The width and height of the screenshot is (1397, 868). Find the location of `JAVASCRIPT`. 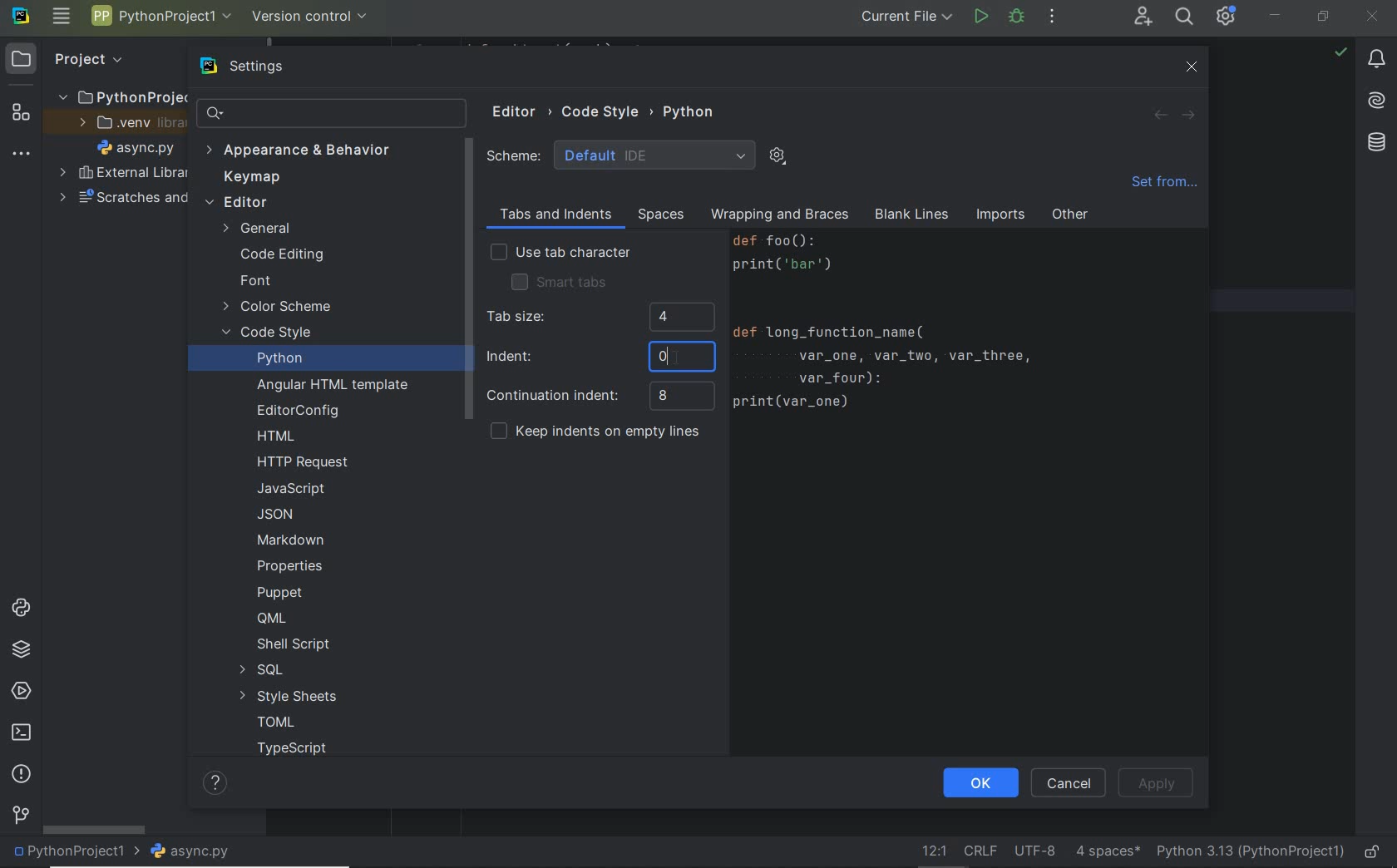

JAVASCRIPT is located at coordinates (289, 489).